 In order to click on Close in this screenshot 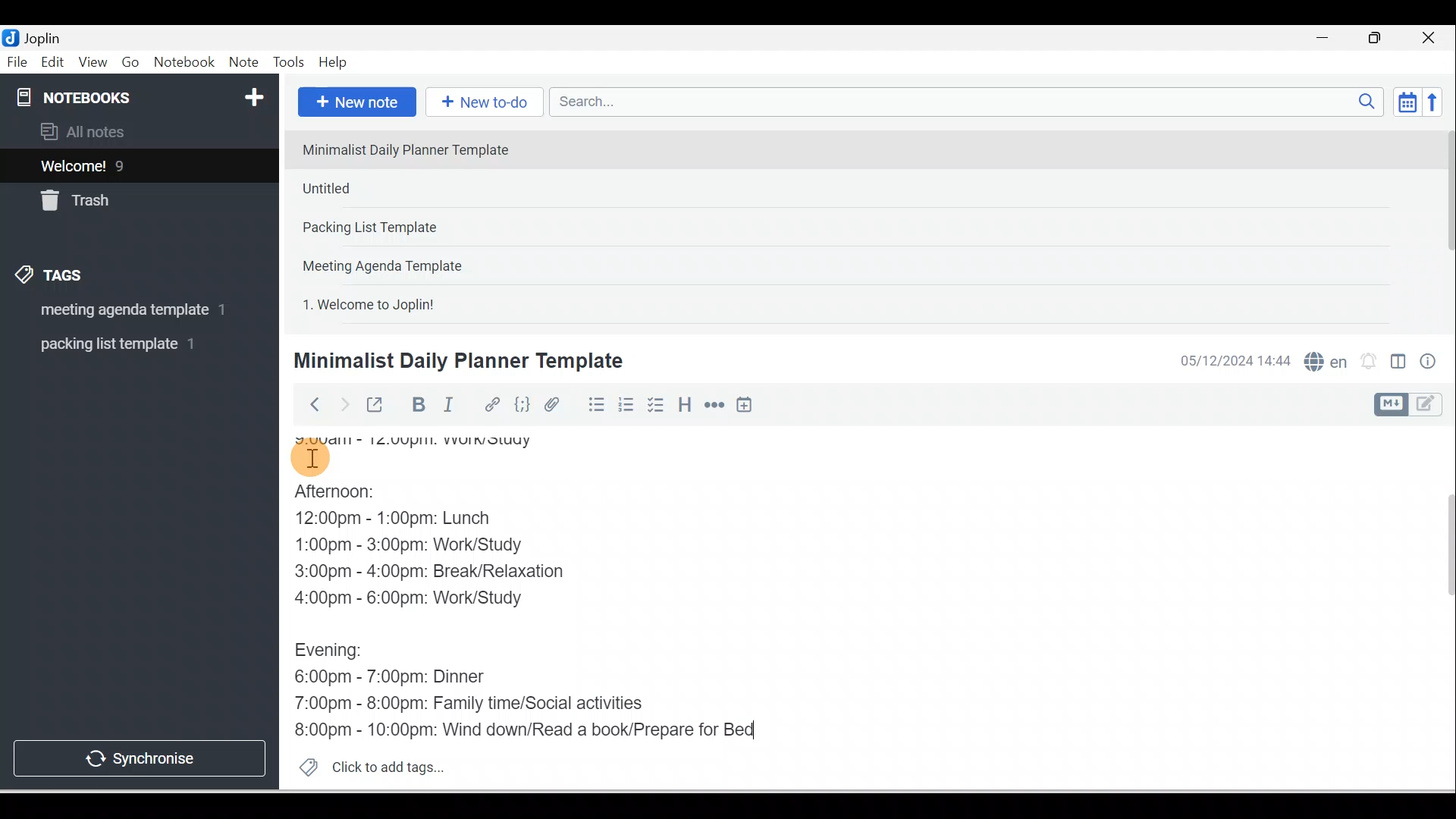, I will do `click(1432, 38)`.